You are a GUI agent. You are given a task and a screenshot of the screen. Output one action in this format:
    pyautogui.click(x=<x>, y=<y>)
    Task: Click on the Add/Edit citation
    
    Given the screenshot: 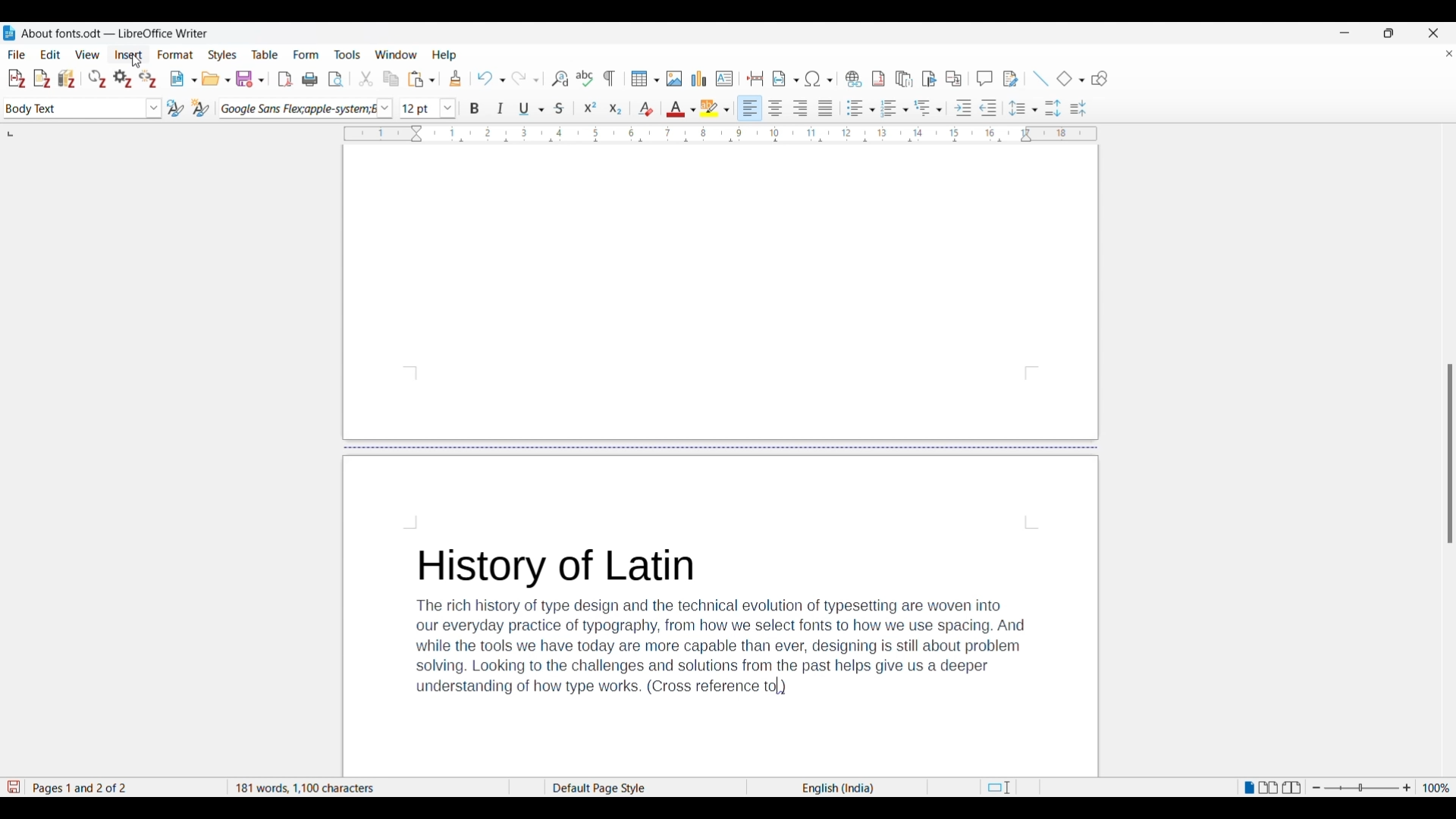 What is the action you would take?
    pyautogui.click(x=16, y=79)
    